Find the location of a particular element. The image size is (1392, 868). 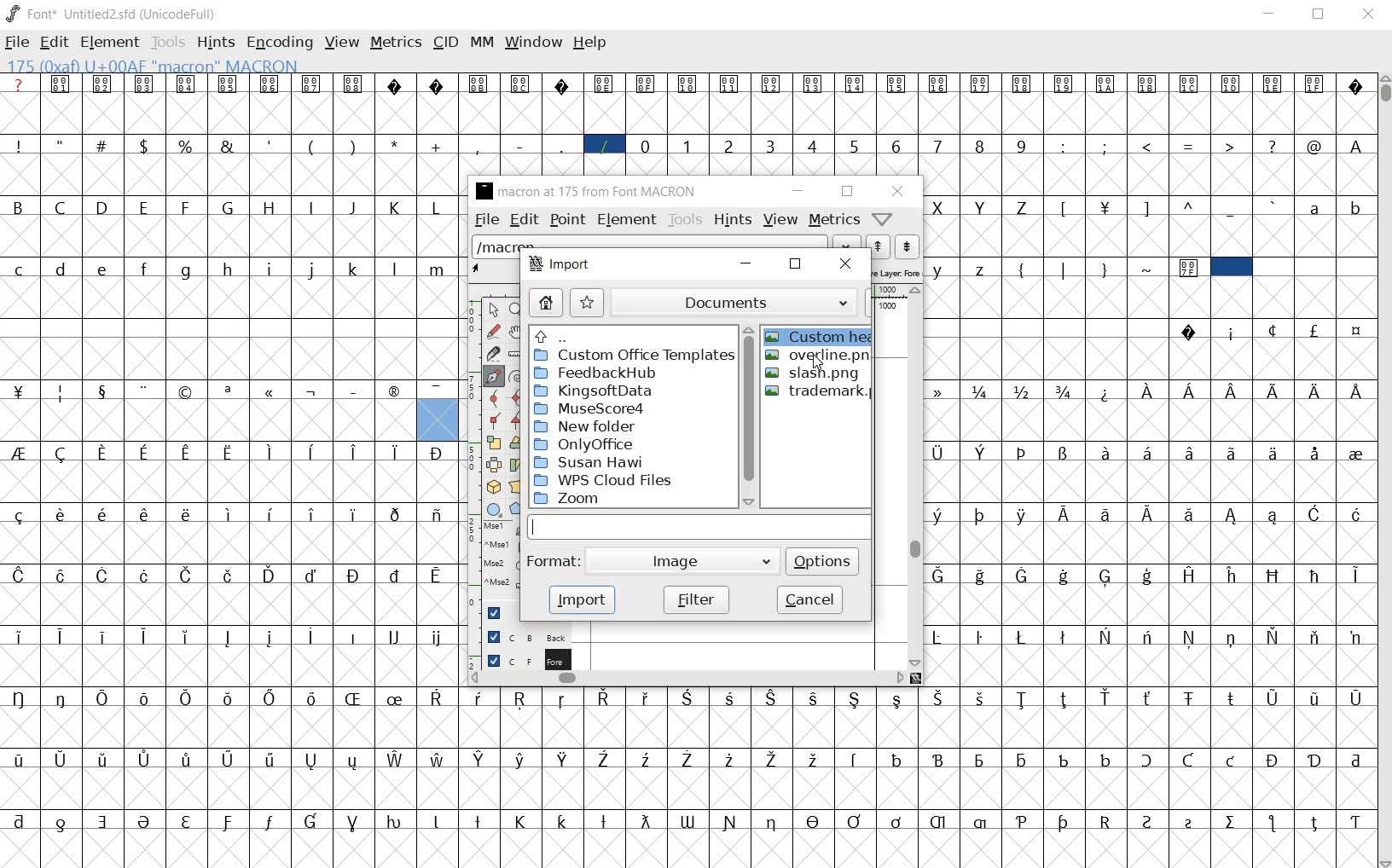

Symbol is located at coordinates (1314, 758).